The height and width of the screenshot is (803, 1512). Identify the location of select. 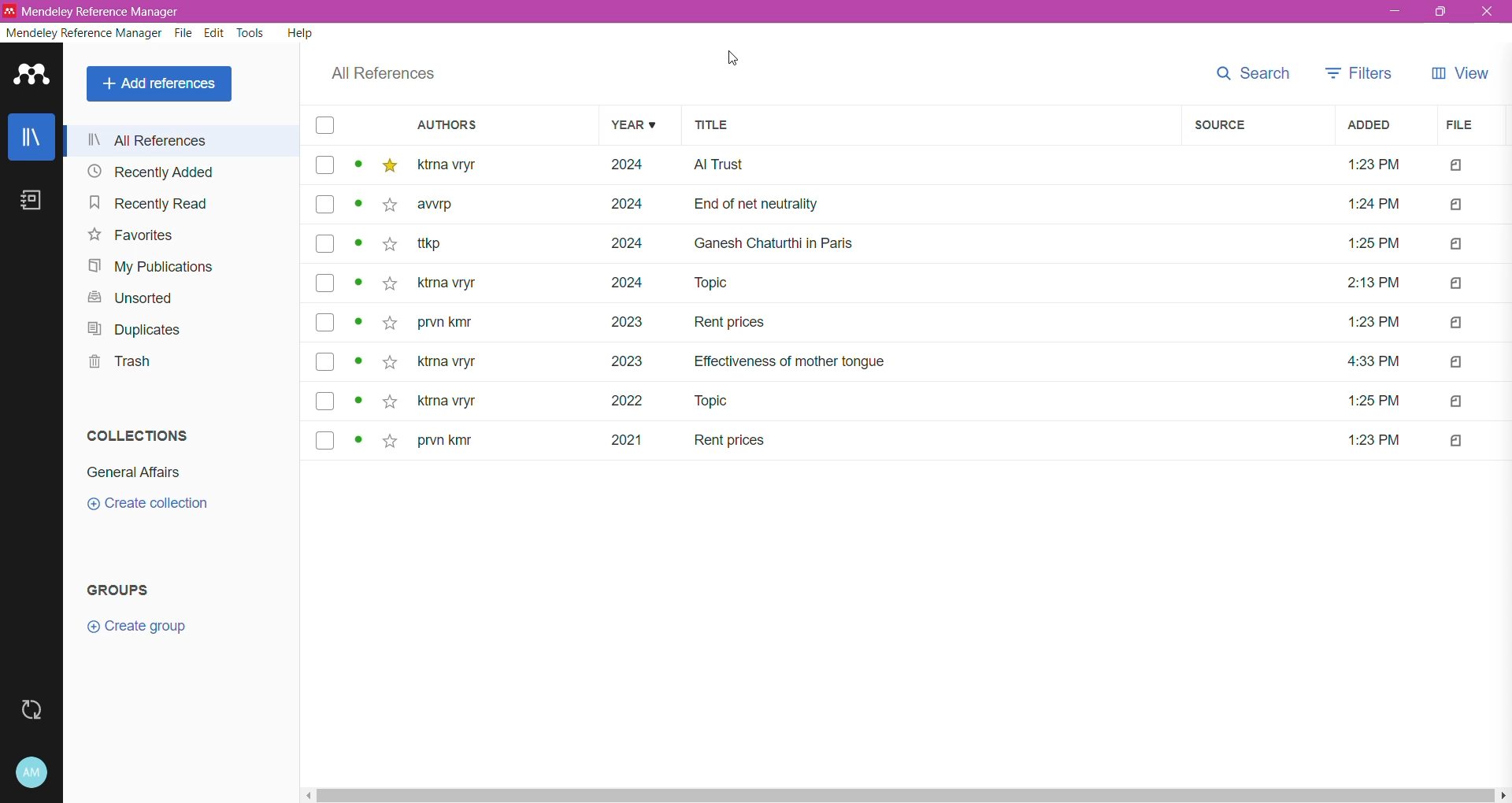
(326, 323).